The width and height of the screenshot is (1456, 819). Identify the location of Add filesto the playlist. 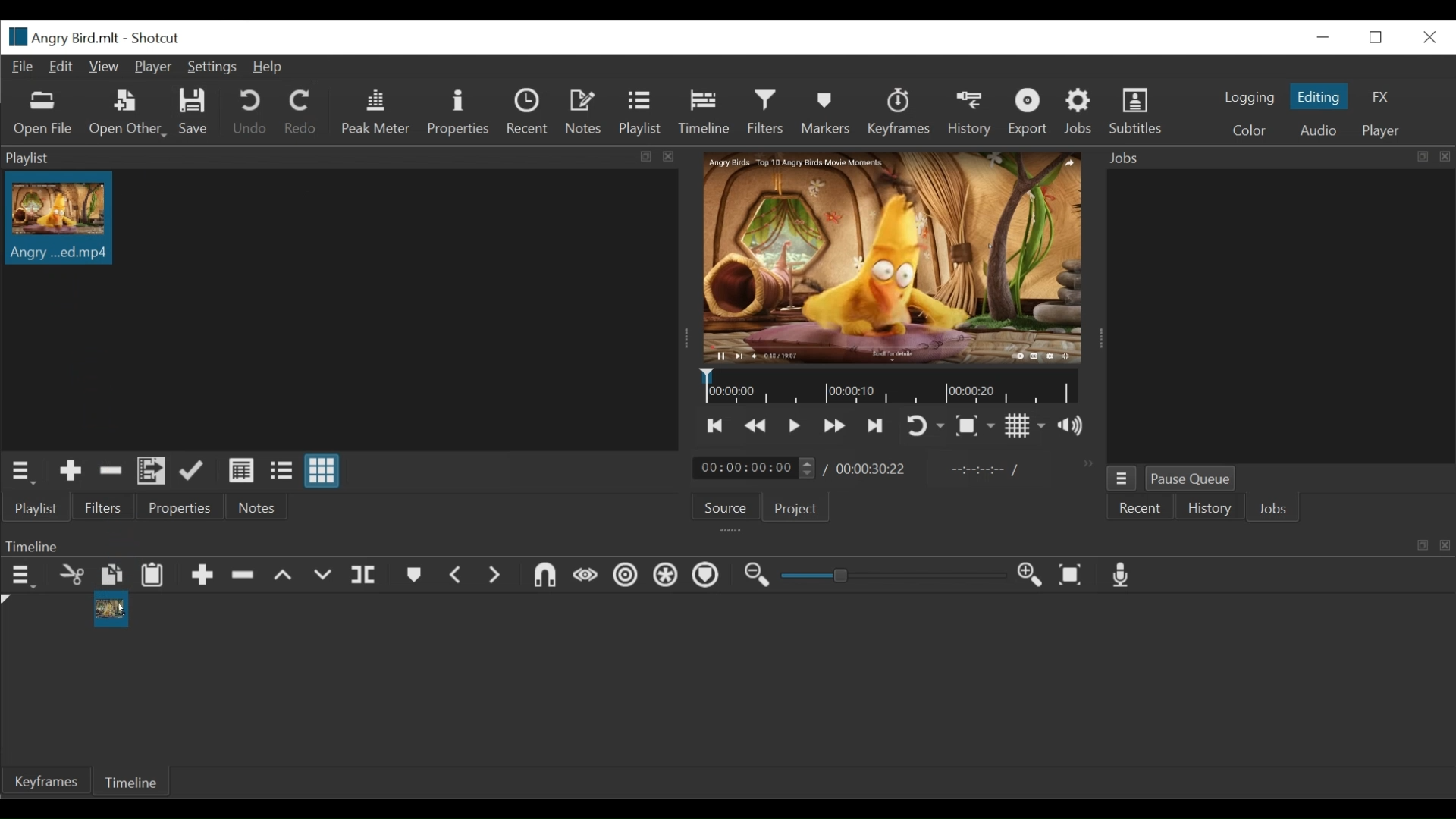
(152, 470).